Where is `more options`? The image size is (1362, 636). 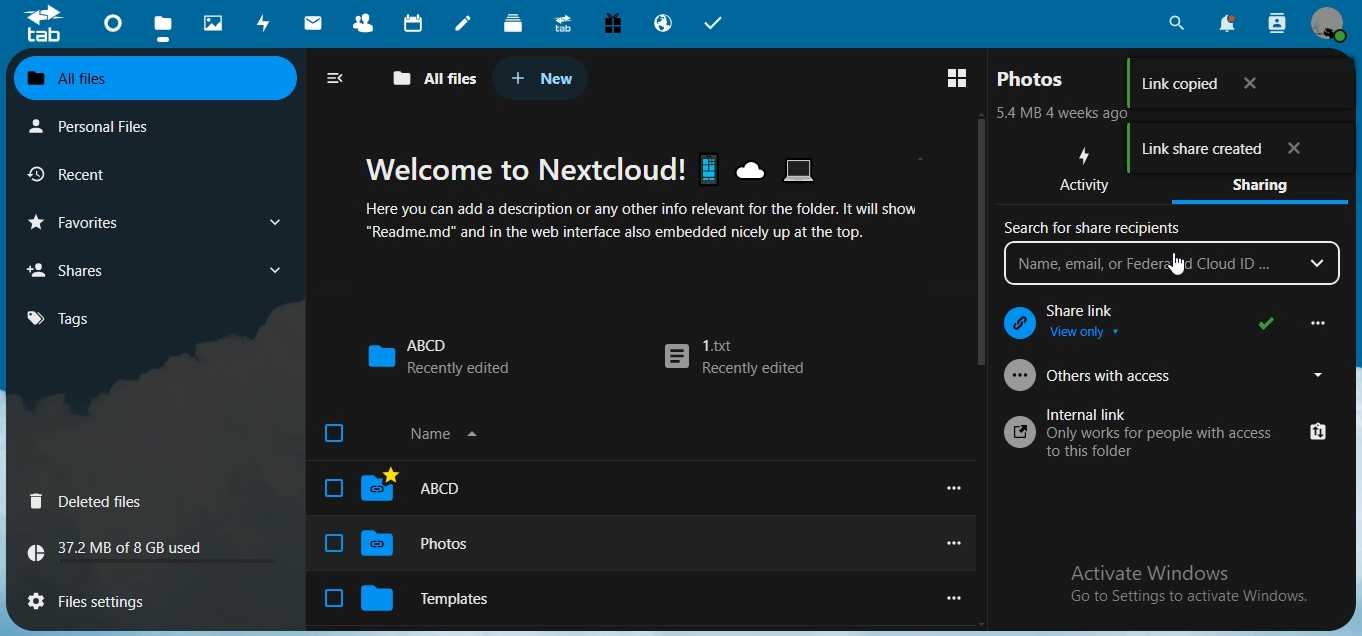 more options is located at coordinates (954, 544).